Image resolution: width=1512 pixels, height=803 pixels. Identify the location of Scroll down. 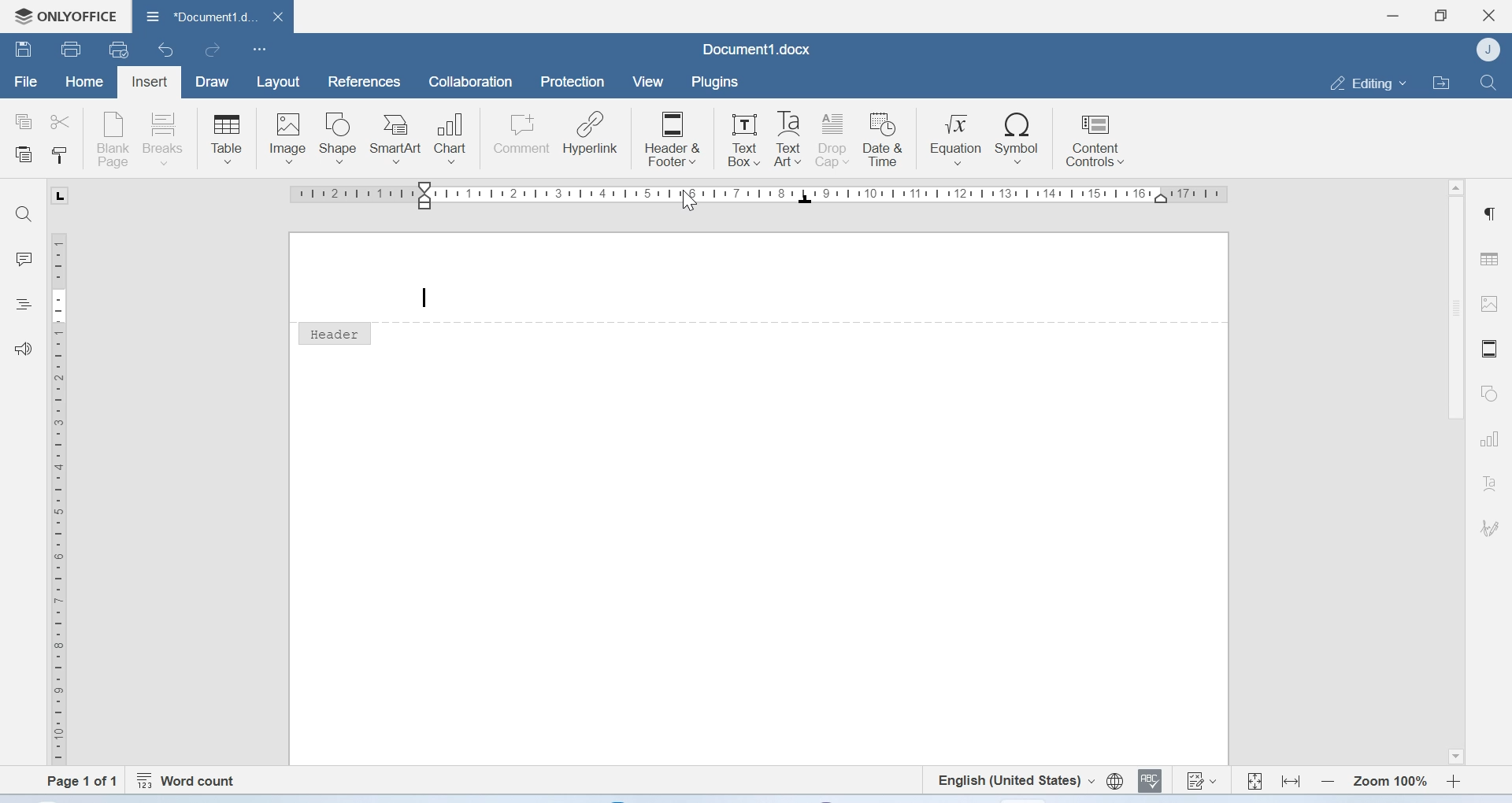
(1454, 757).